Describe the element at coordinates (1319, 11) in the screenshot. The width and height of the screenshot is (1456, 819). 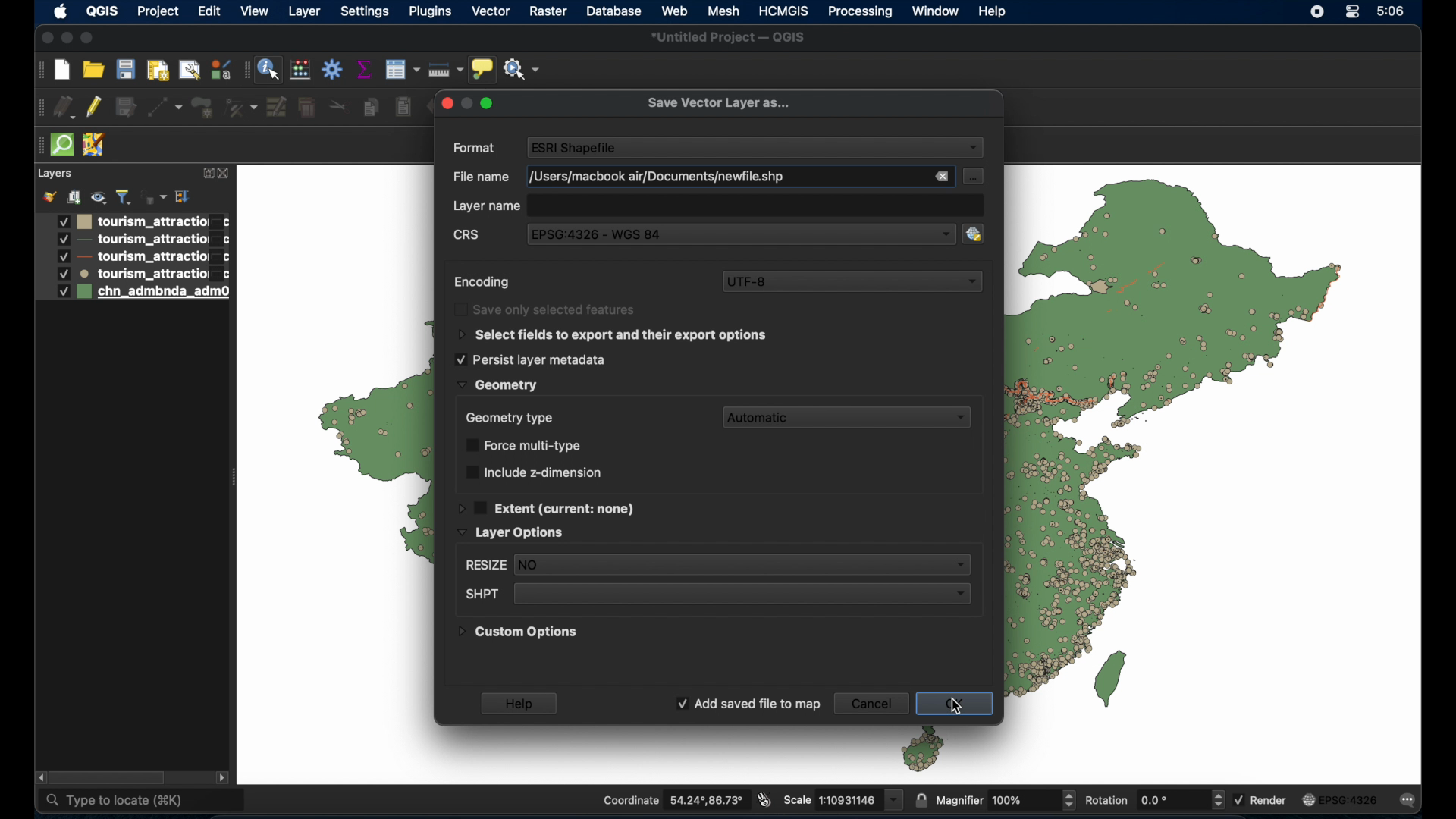
I see `screen recorder` at that location.